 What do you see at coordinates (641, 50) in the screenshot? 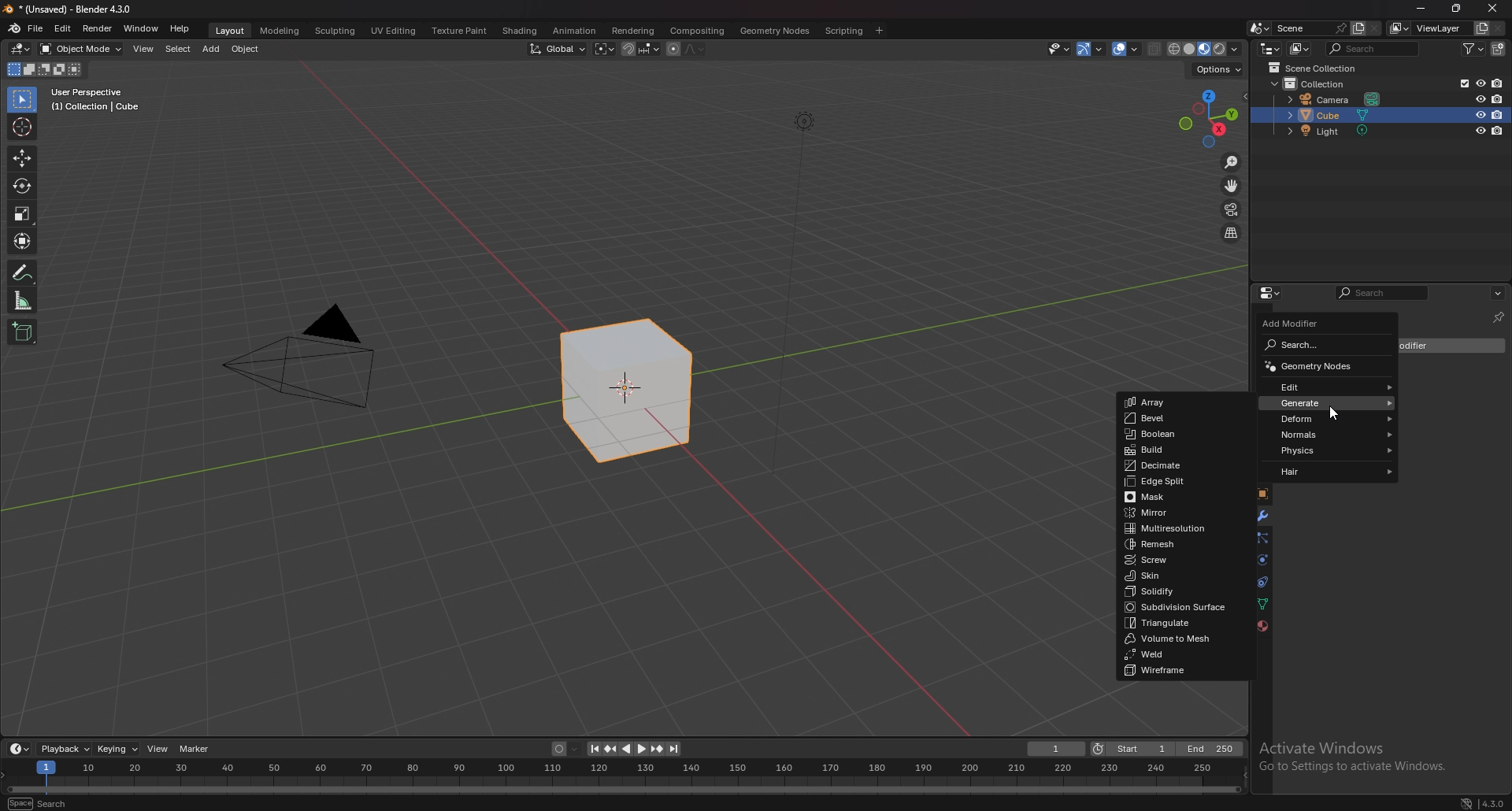
I see `snapping` at bounding box center [641, 50].